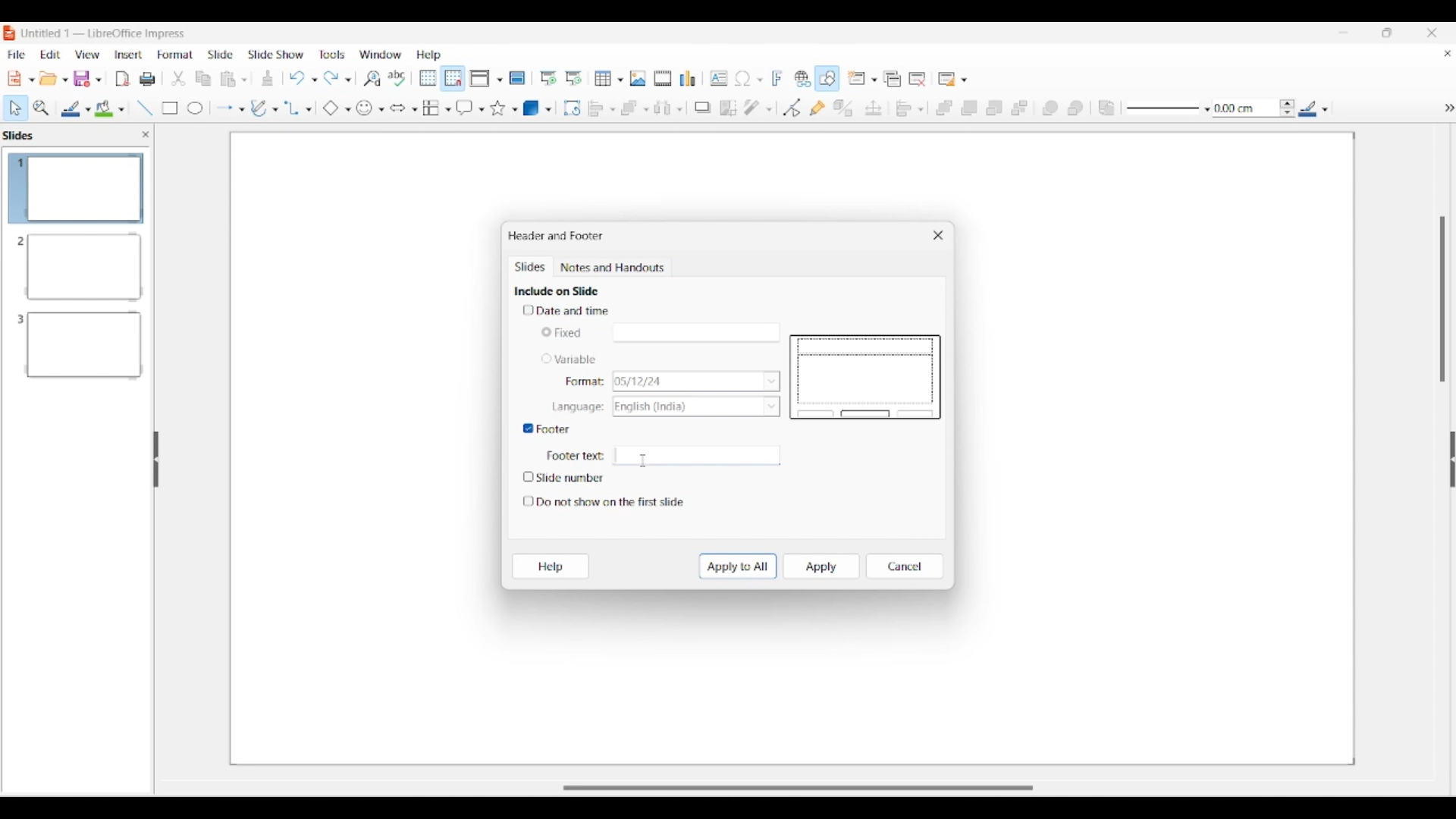 The width and height of the screenshot is (1456, 819). What do you see at coordinates (275, 55) in the screenshot?
I see `Slide show menu` at bounding box center [275, 55].